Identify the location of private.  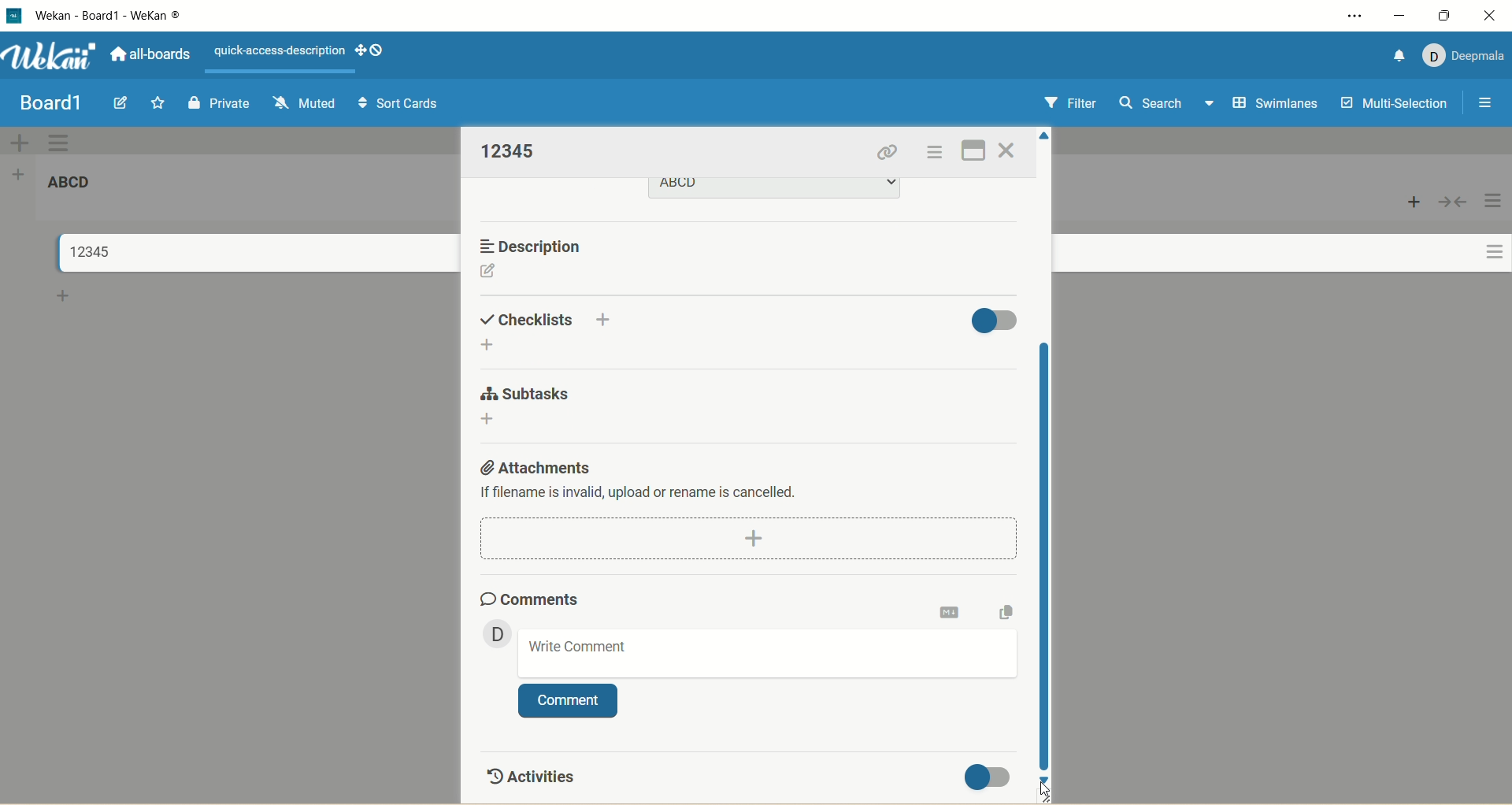
(220, 101).